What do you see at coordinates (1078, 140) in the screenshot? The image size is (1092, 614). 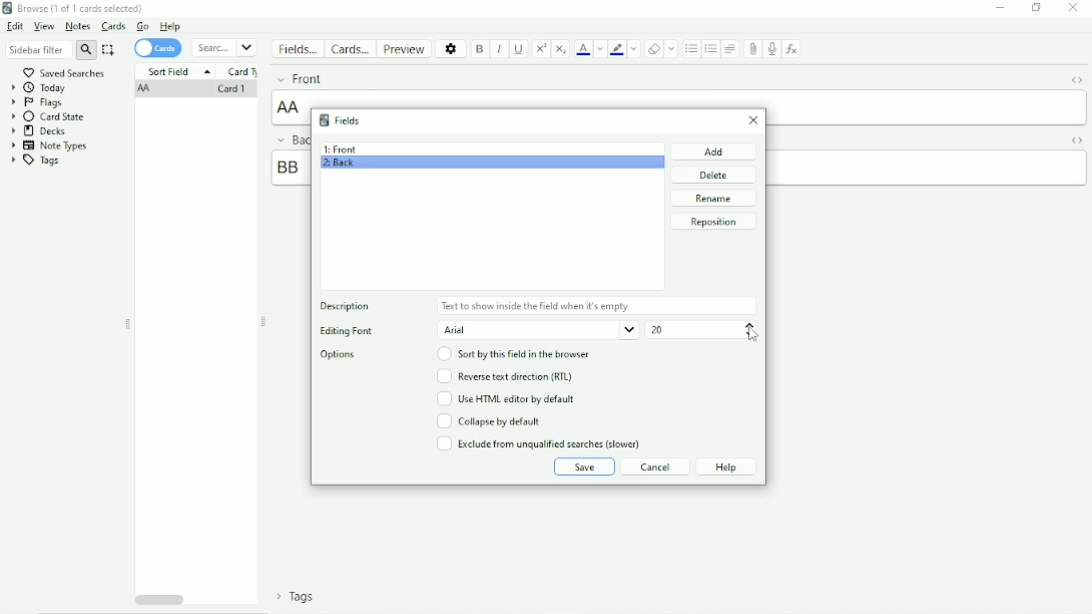 I see `Toggle HTML Editor` at bounding box center [1078, 140].